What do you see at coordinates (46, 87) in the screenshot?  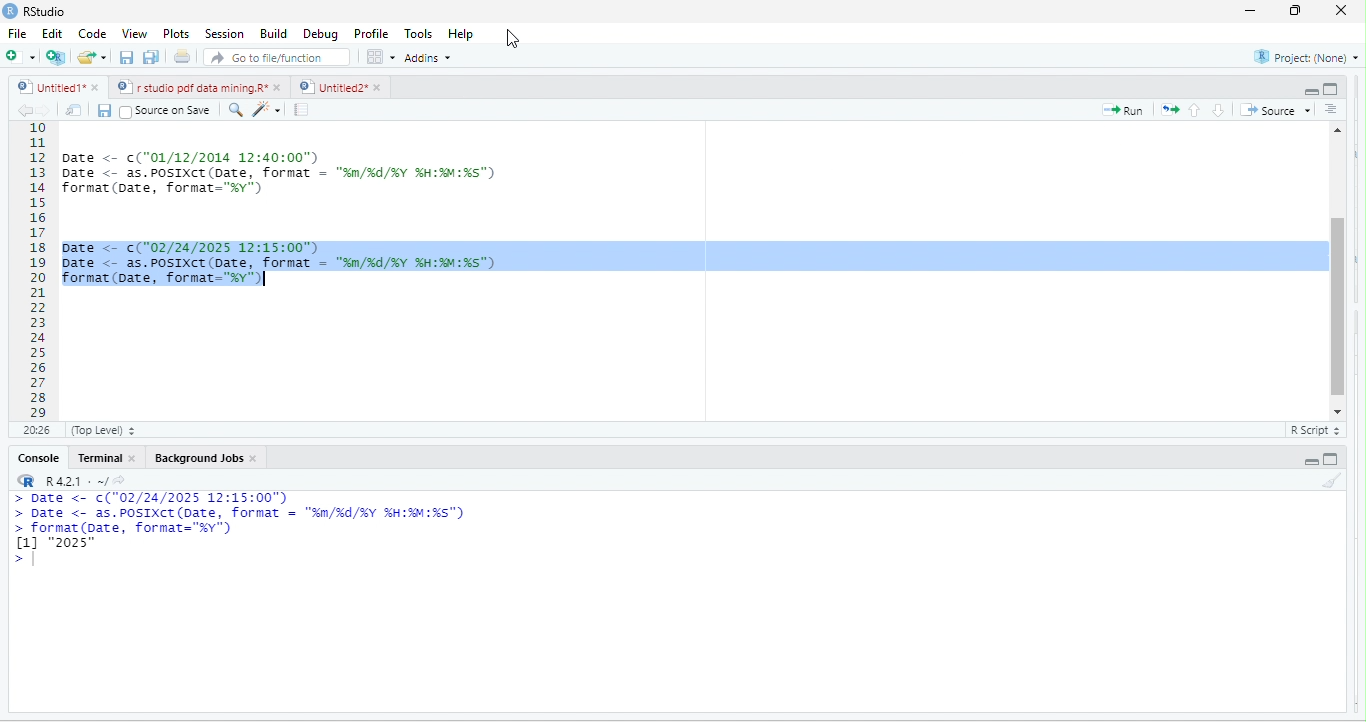 I see ` Untitled1` at bounding box center [46, 87].